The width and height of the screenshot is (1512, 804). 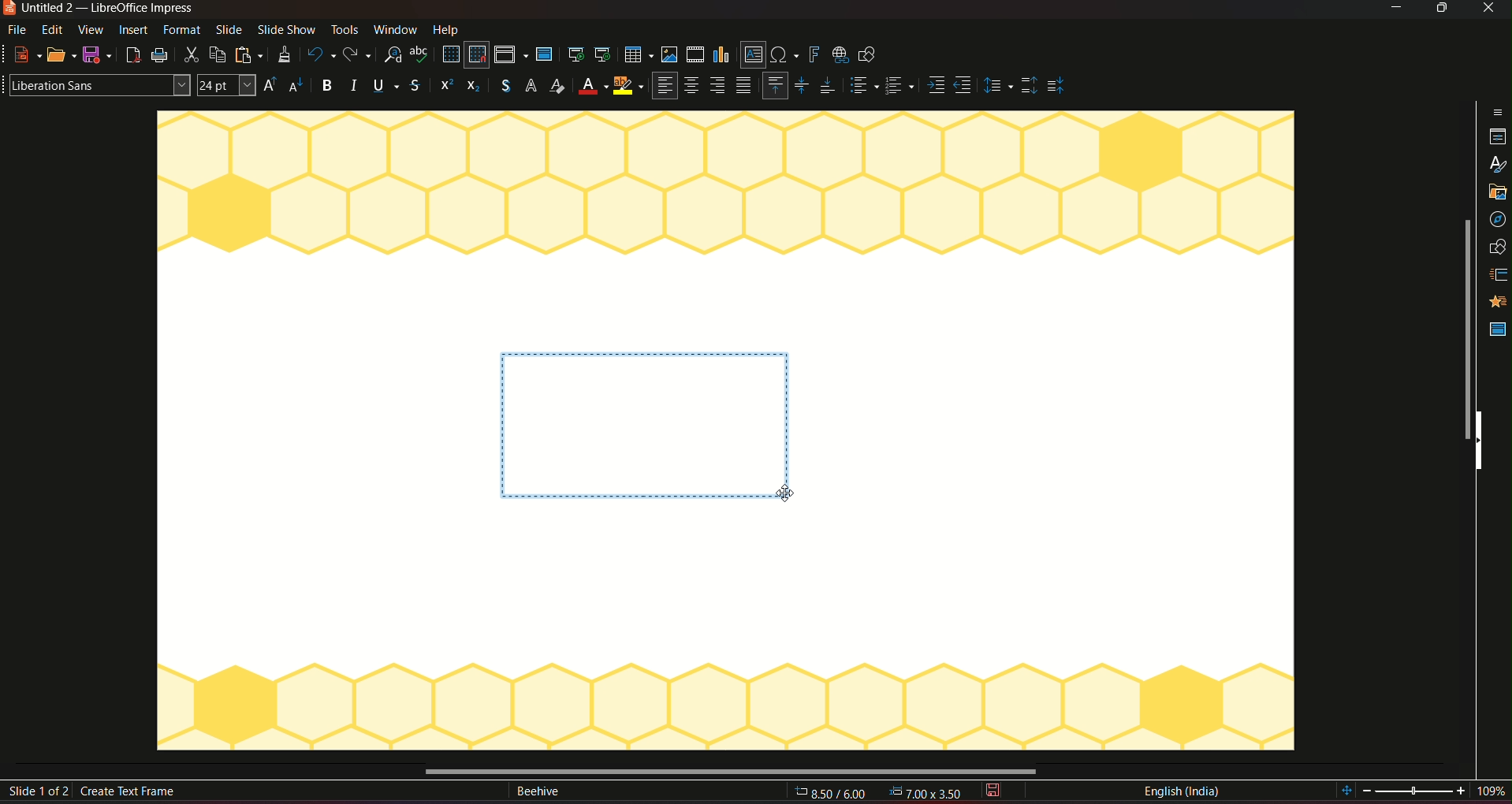 I want to click on current zoom, so click(x=1496, y=792).